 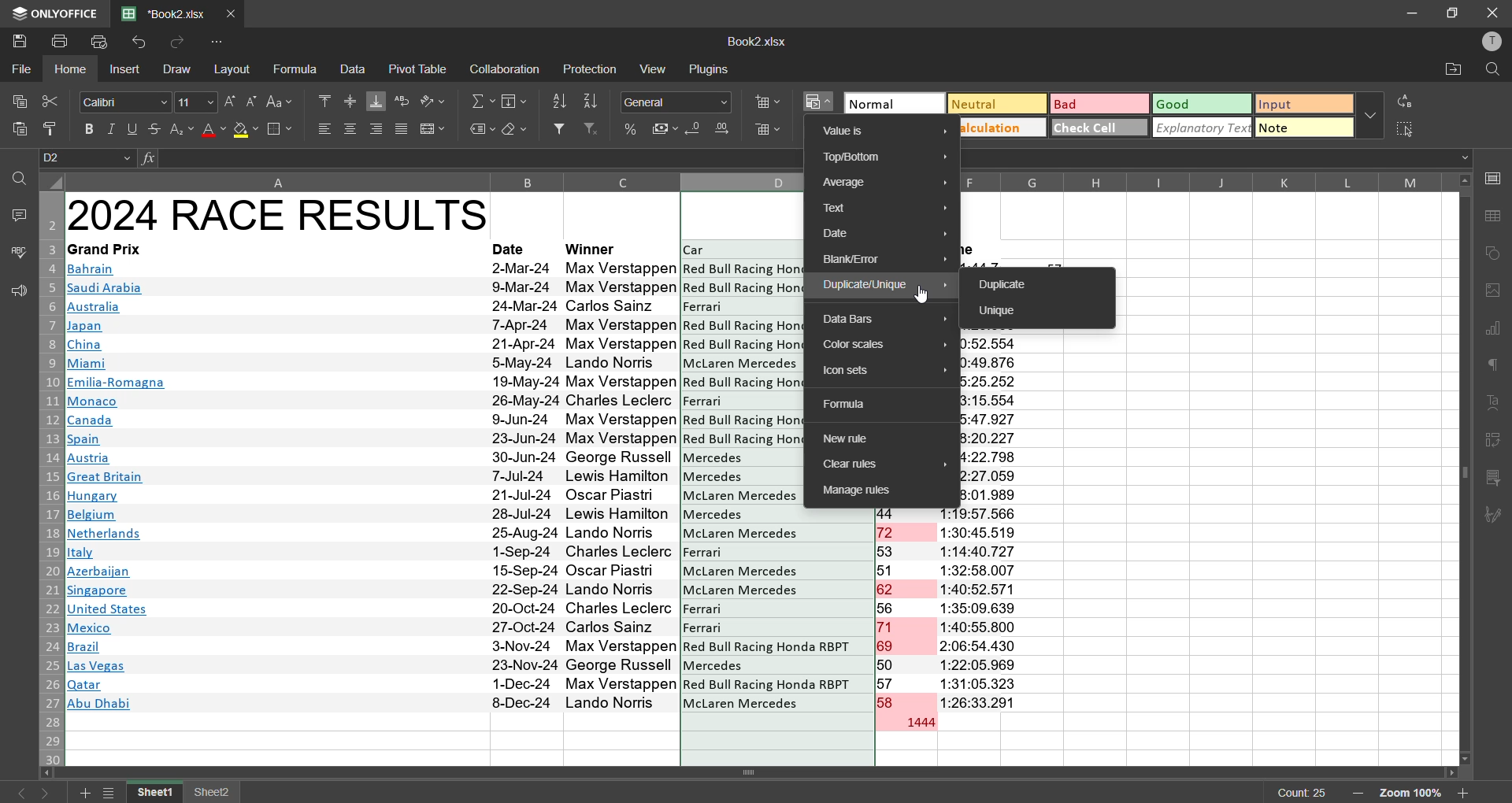 I want to click on car name, so click(x=742, y=478).